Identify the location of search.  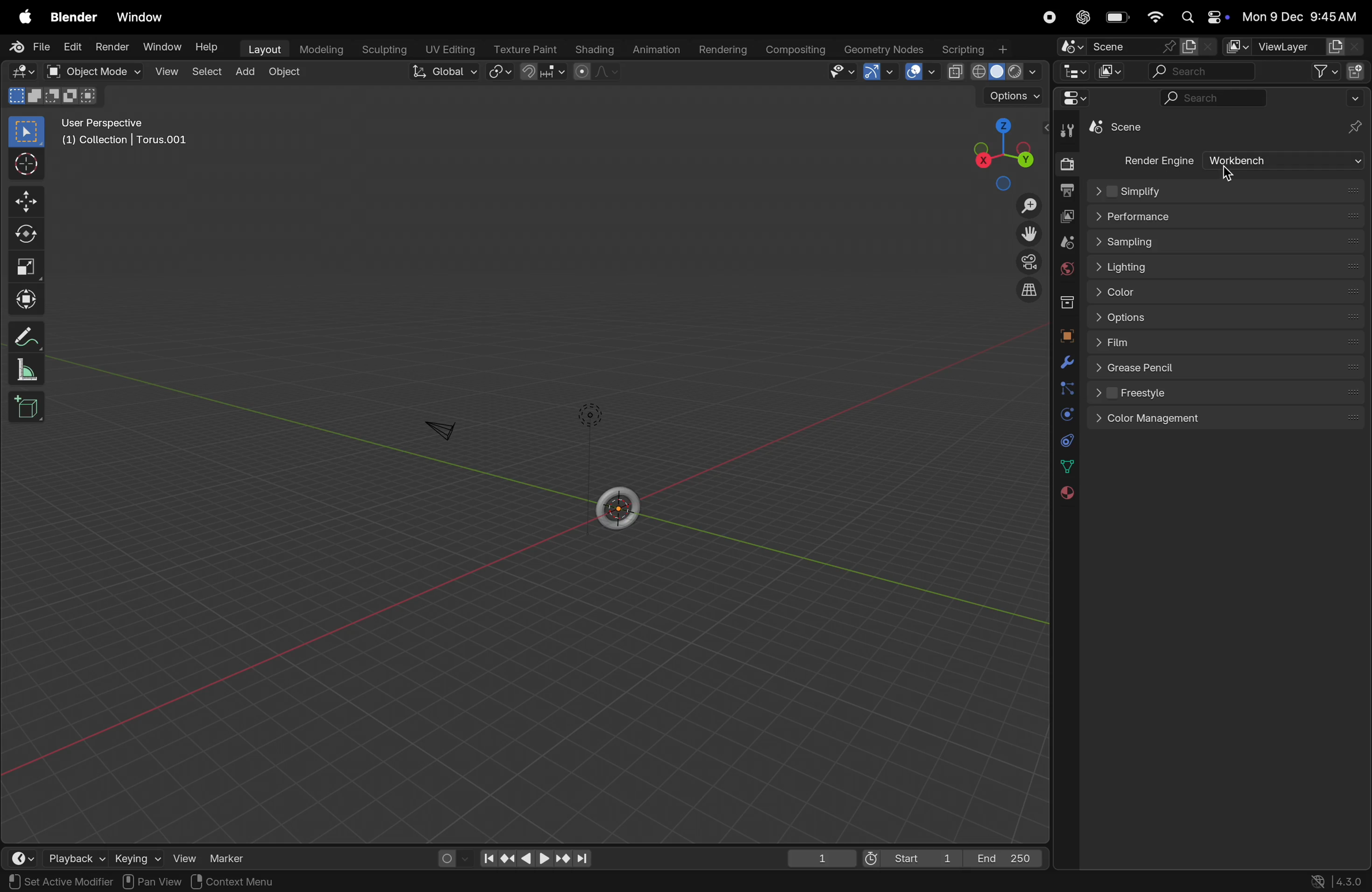
(1210, 98).